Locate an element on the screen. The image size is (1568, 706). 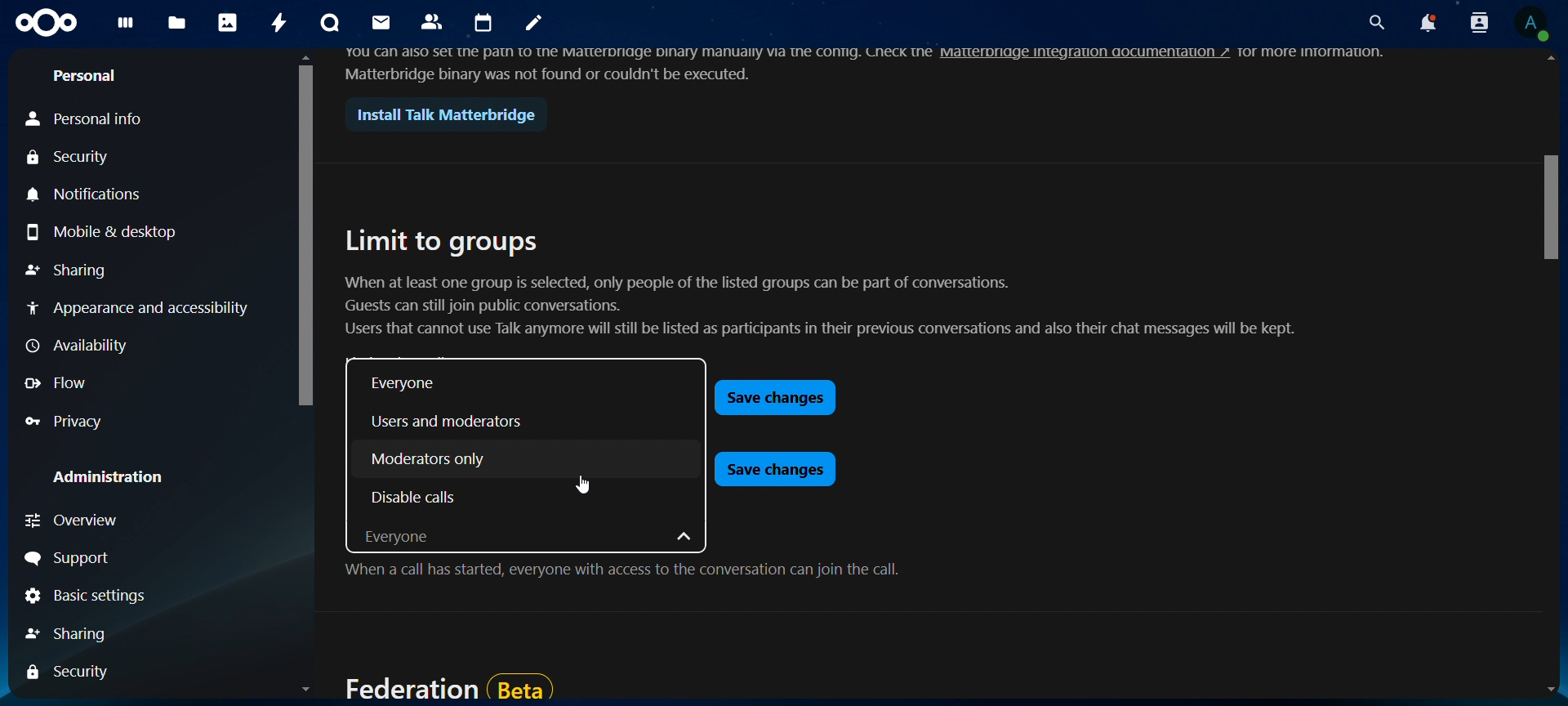
search contacts is located at coordinates (1479, 25).